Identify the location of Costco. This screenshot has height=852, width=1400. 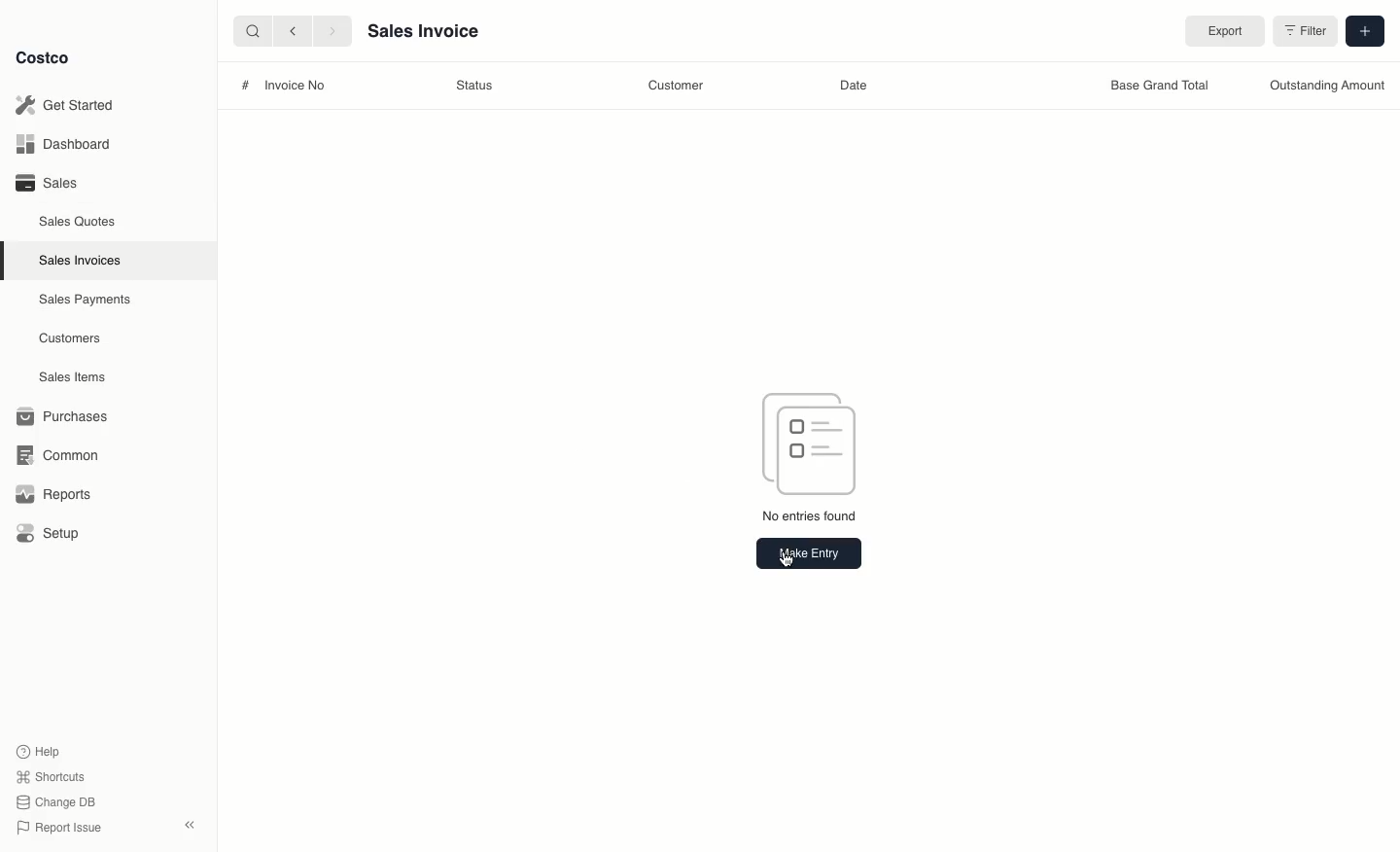
(44, 58).